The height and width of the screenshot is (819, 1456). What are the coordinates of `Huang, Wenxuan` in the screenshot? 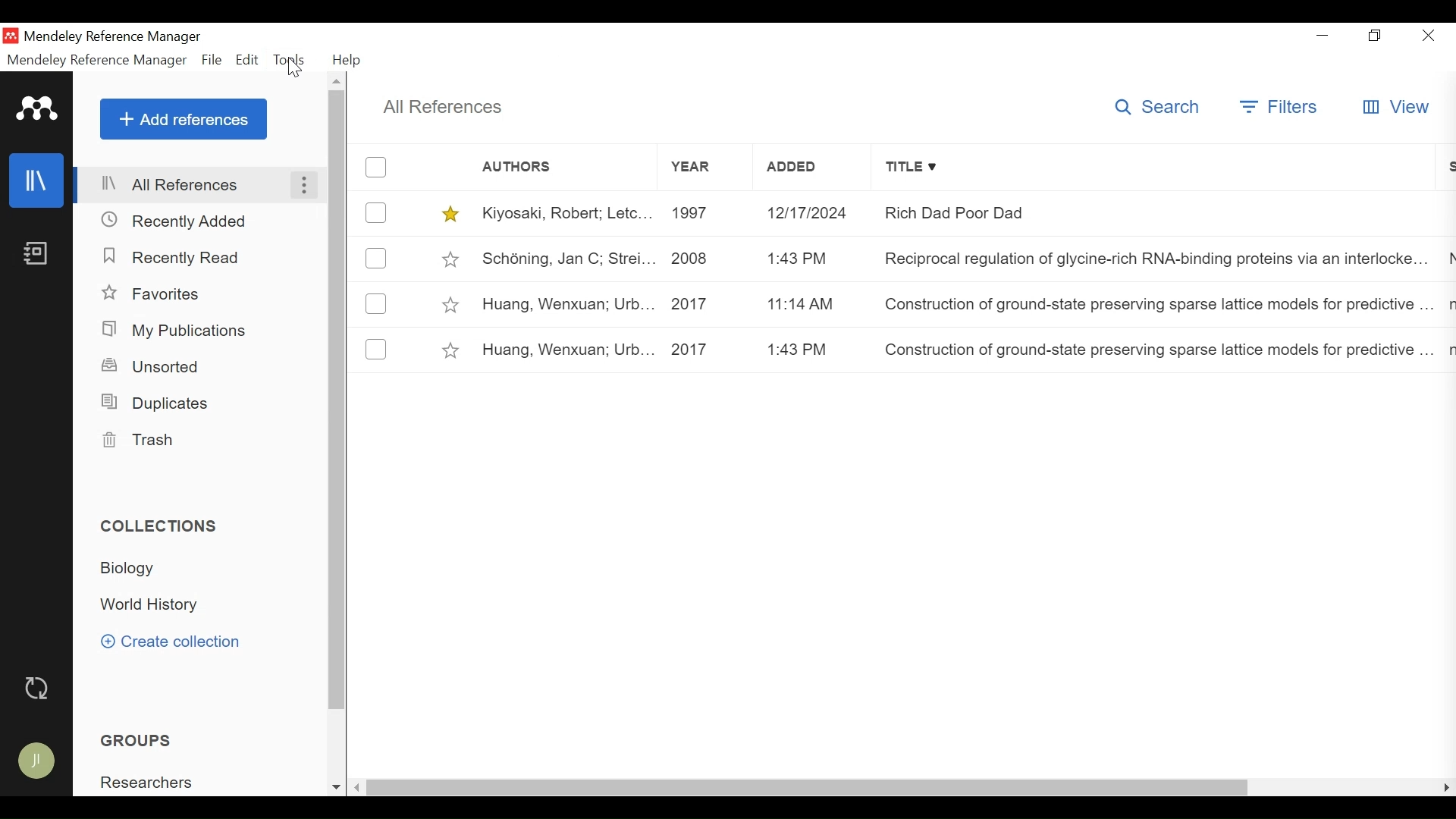 It's located at (566, 303).